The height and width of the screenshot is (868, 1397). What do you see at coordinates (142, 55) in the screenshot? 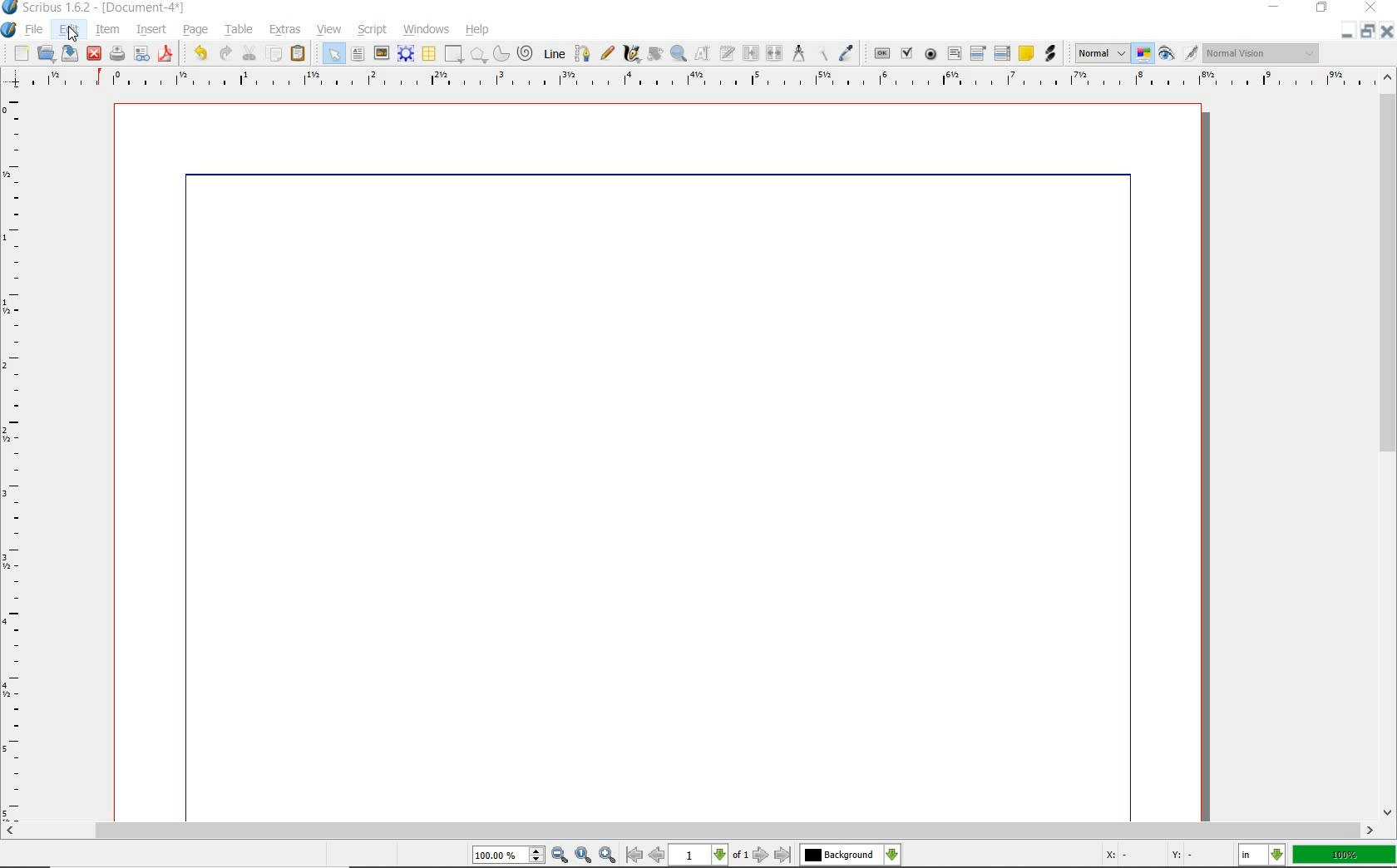
I see `preflight verifier` at bounding box center [142, 55].